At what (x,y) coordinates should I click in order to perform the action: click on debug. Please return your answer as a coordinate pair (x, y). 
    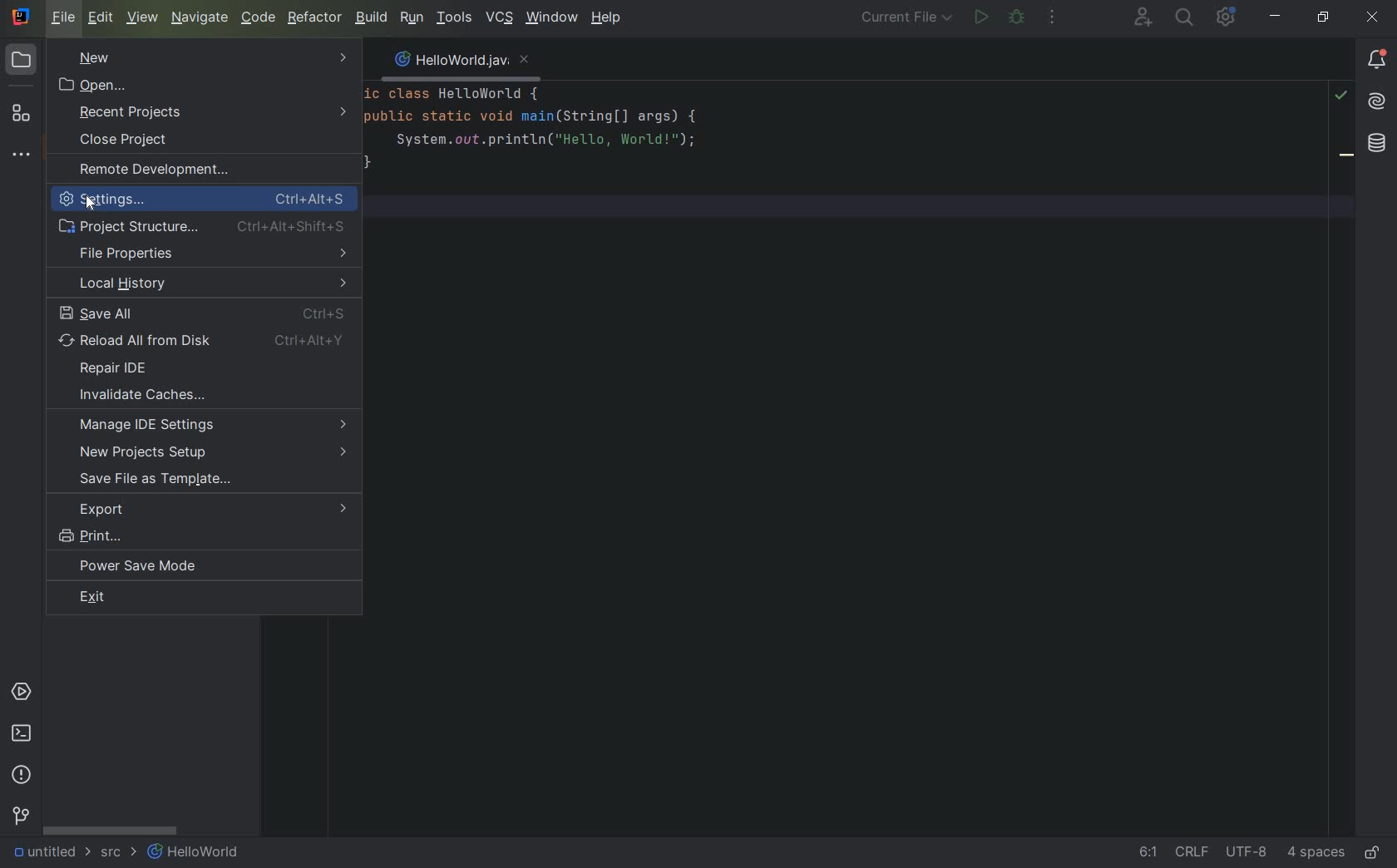
    Looking at the image, I should click on (1017, 17).